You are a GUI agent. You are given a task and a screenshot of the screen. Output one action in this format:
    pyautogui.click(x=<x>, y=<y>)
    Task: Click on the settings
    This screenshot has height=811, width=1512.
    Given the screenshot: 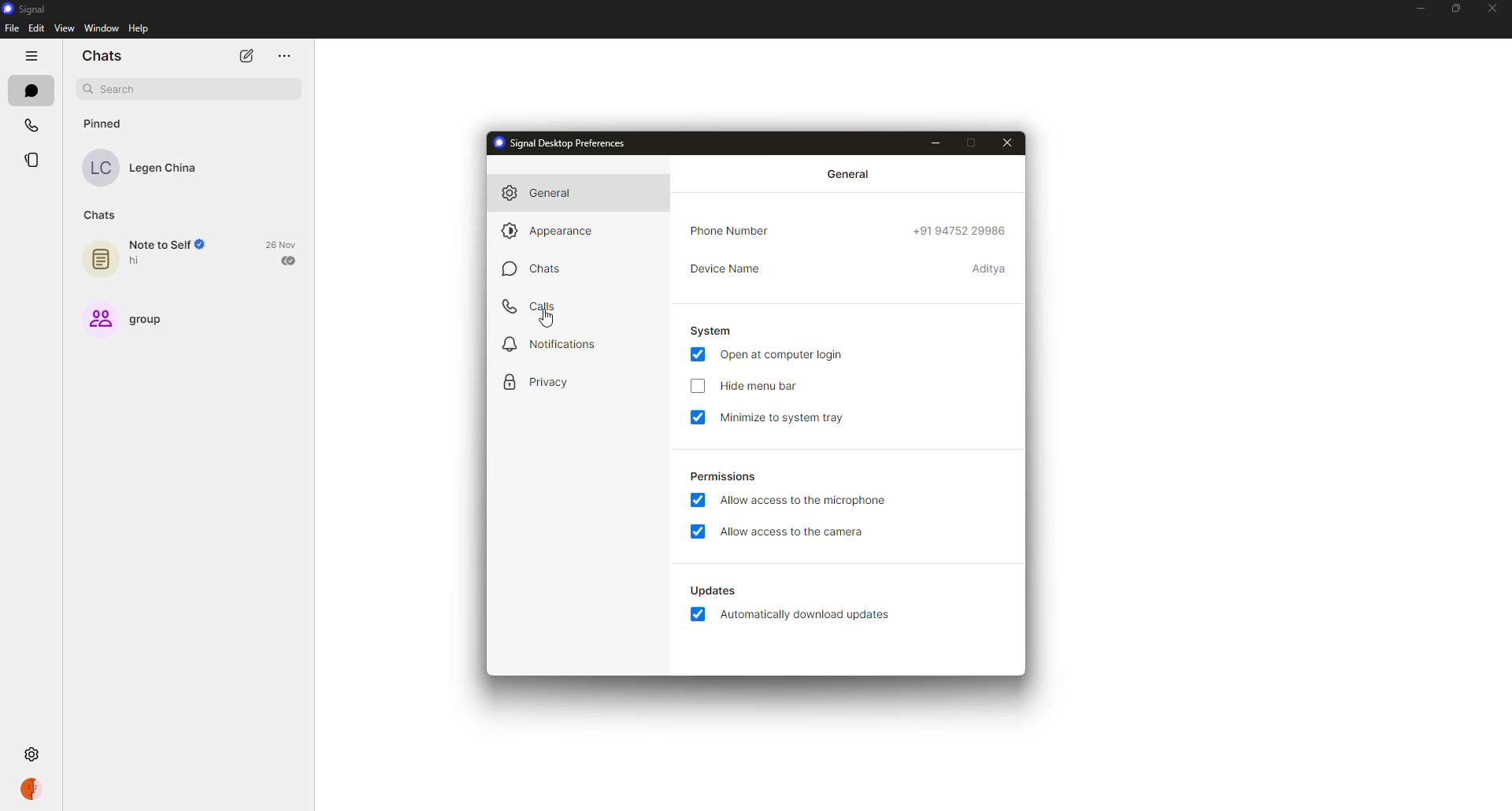 What is the action you would take?
    pyautogui.click(x=33, y=754)
    